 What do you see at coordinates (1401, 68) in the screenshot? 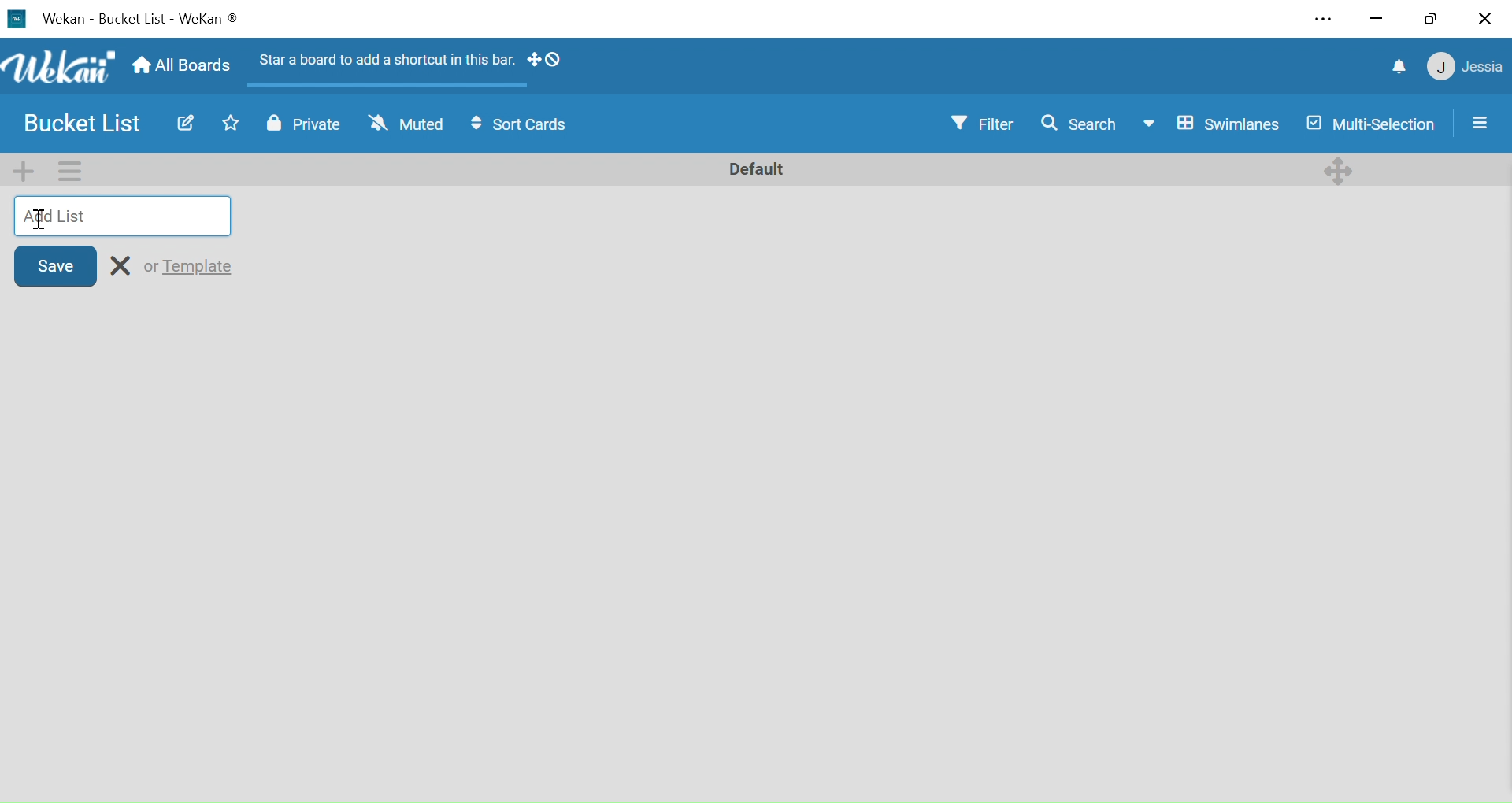
I see `notifications` at bounding box center [1401, 68].